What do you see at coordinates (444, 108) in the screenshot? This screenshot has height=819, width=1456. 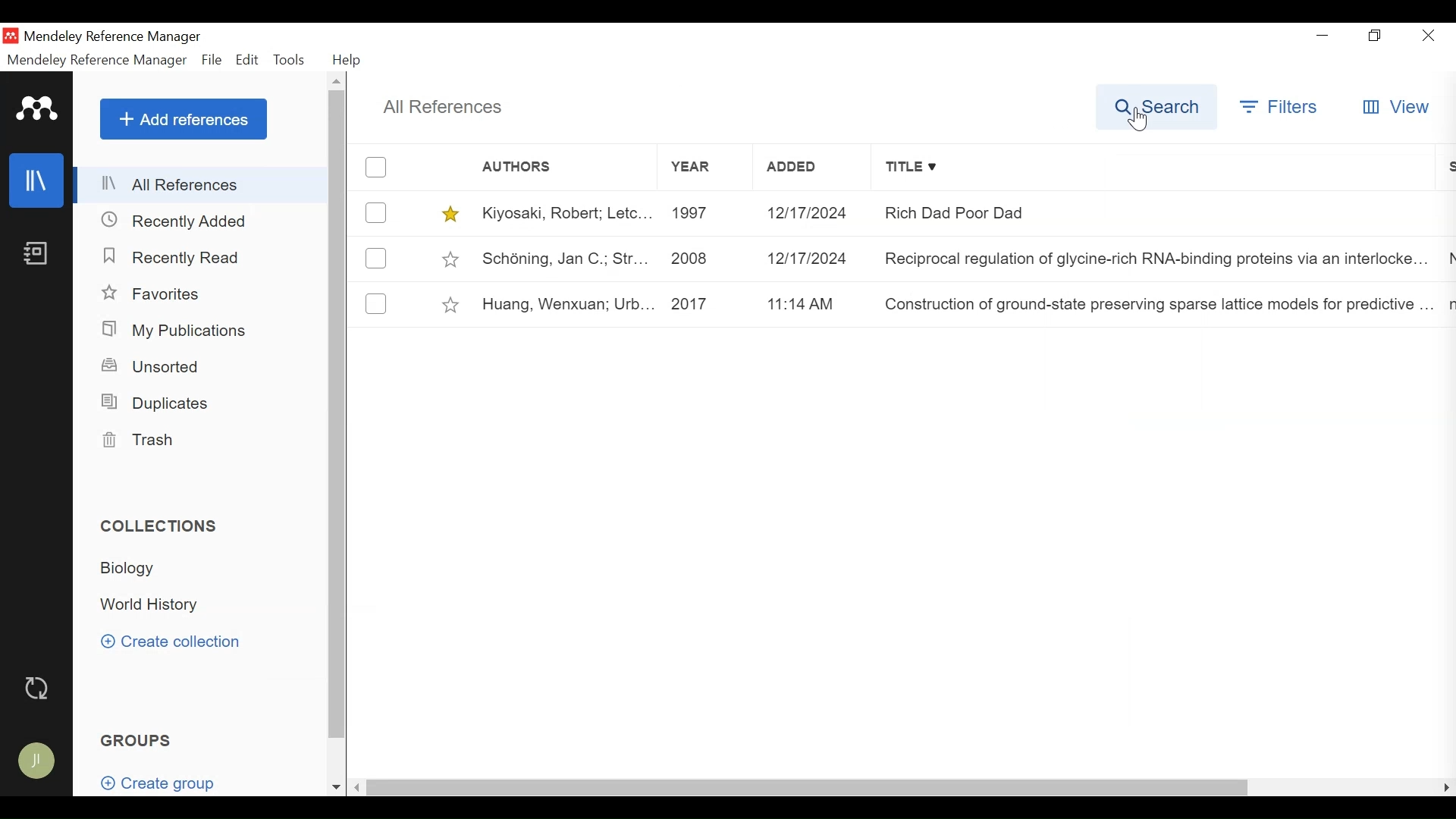 I see `All References` at bounding box center [444, 108].